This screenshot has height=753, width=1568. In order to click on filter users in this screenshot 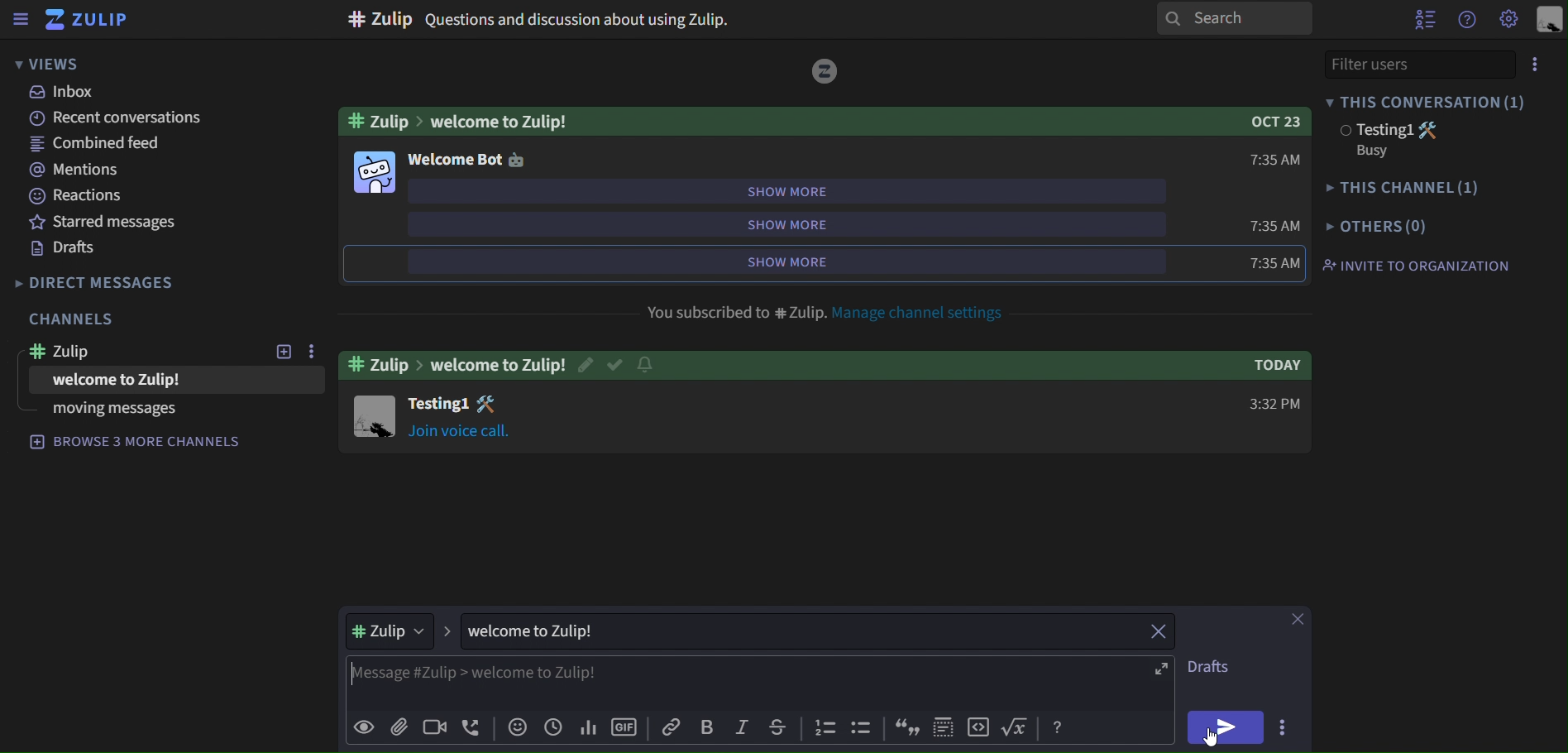, I will do `click(1392, 65)`.